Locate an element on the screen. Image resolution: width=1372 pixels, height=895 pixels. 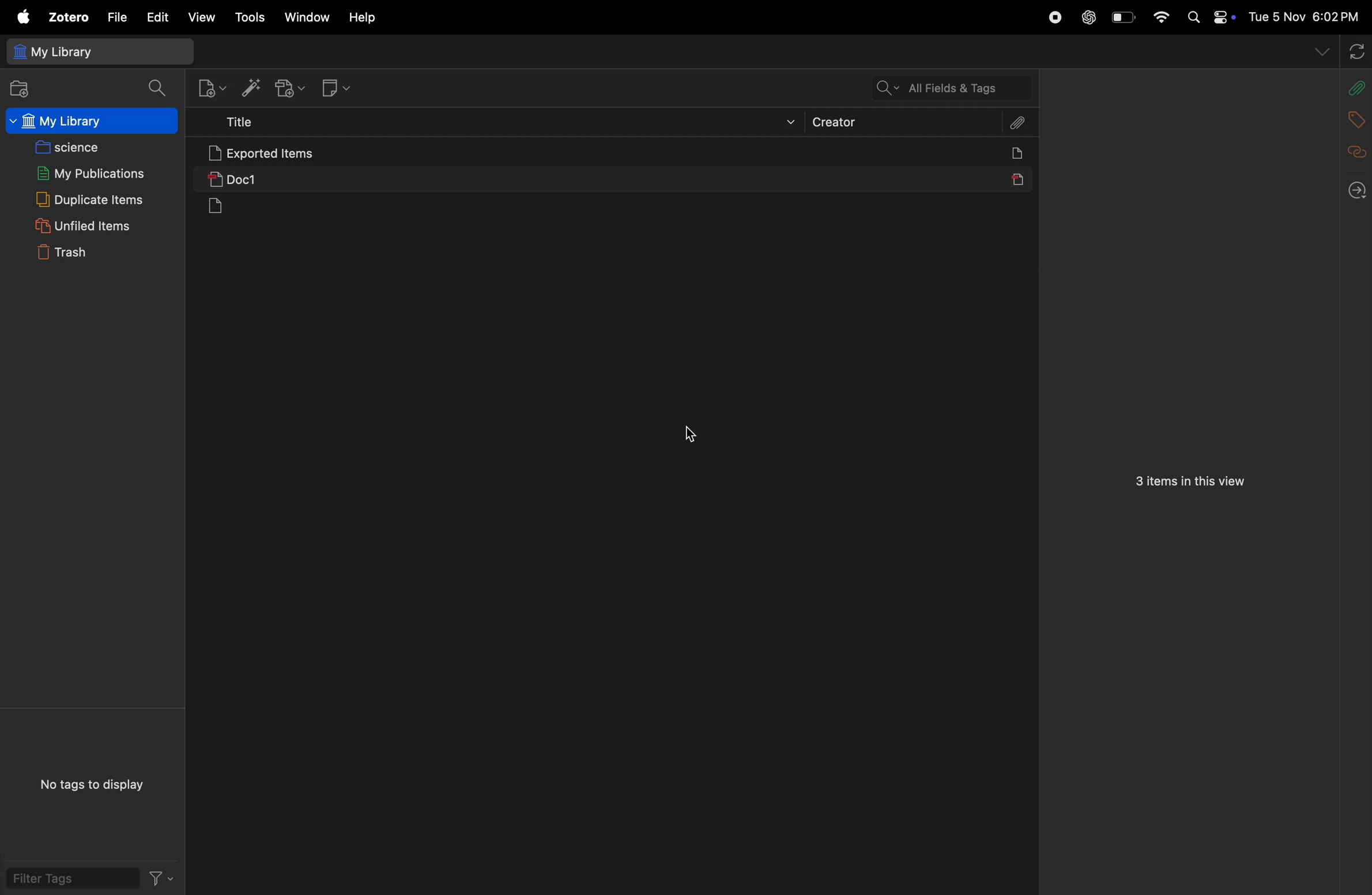
edit is located at coordinates (154, 17).